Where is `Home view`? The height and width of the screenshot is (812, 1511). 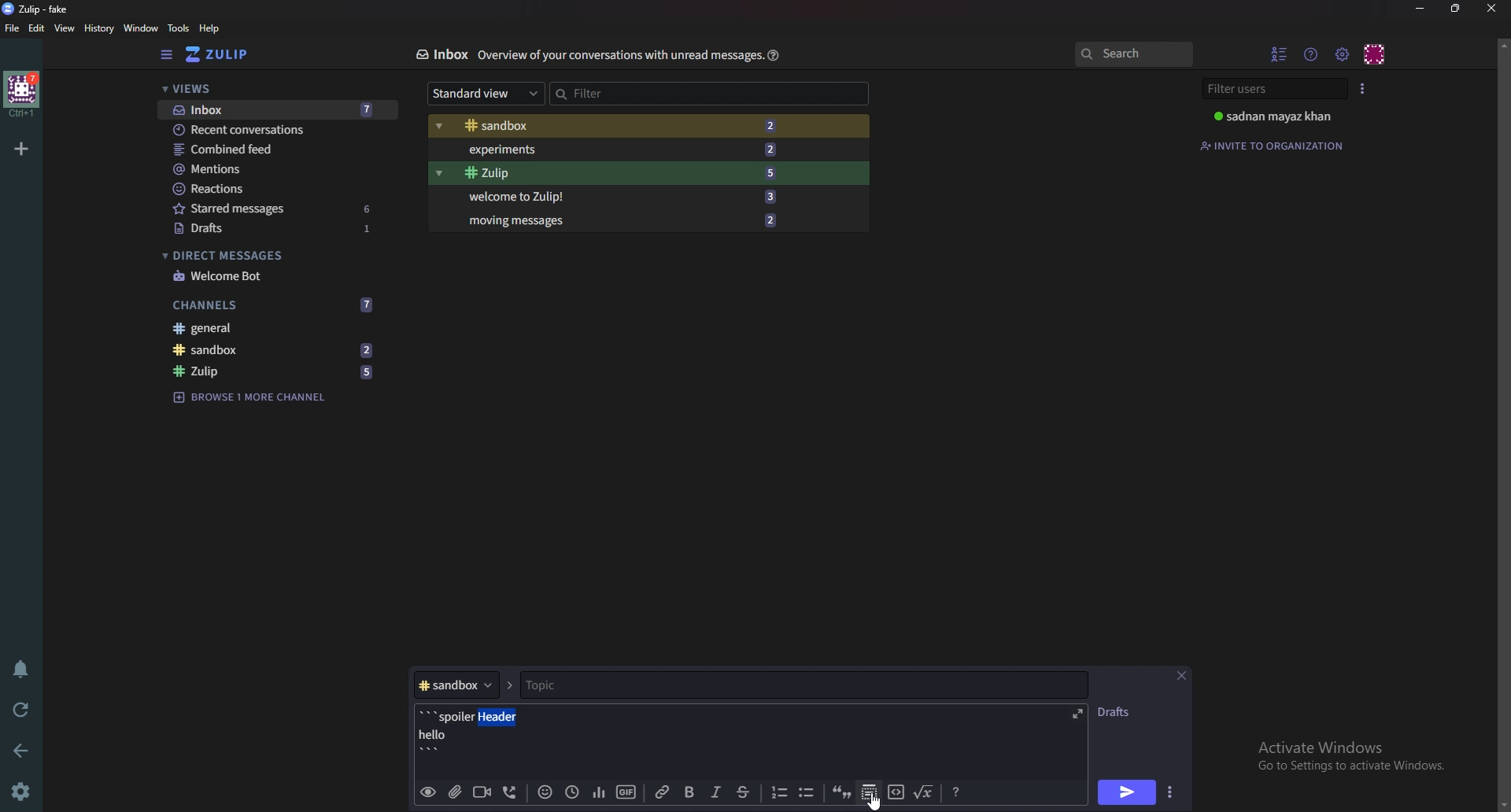 Home view is located at coordinates (238, 54).